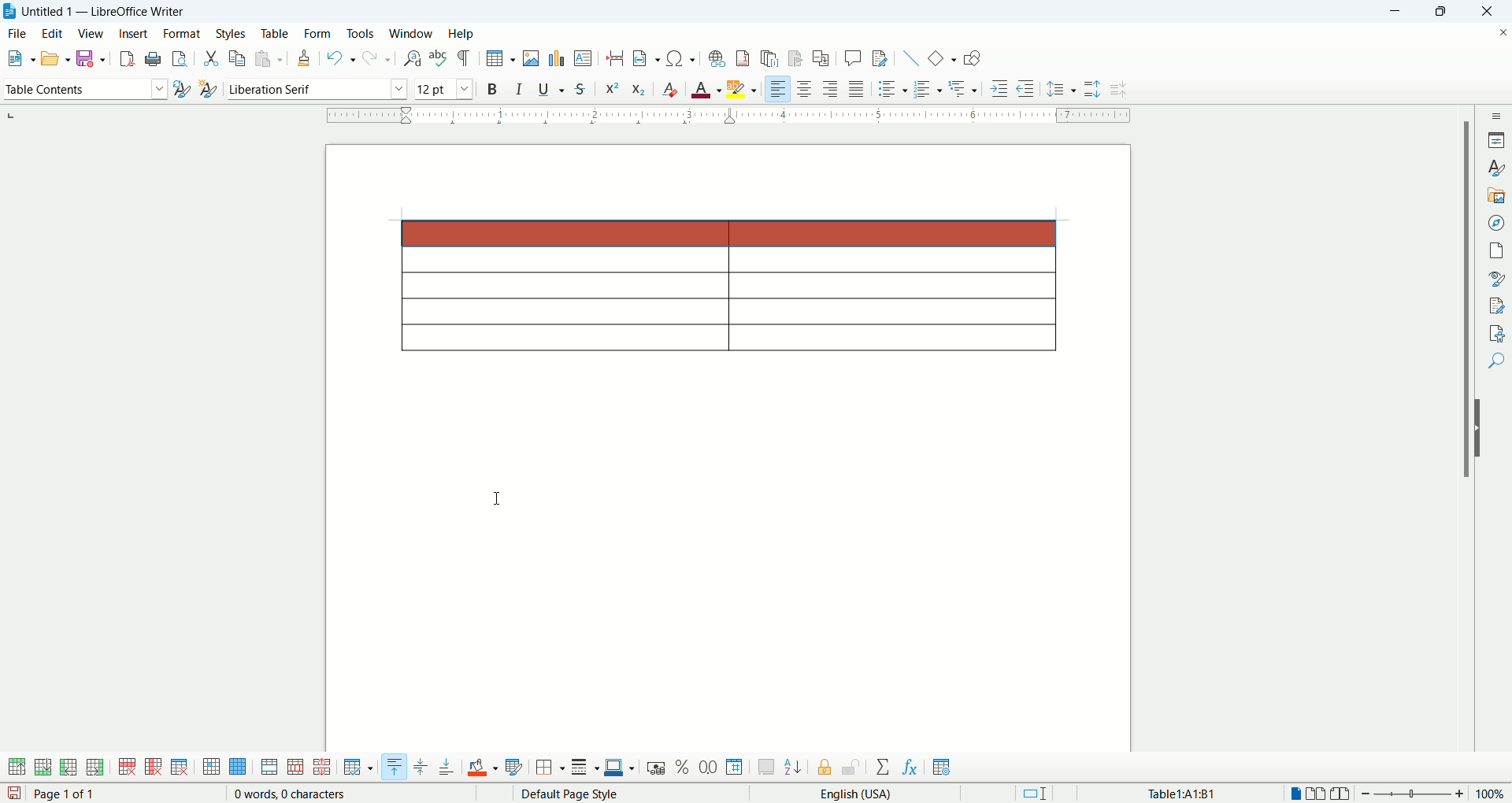 The image size is (1512, 803). Describe the element at coordinates (233, 34) in the screenshot. I see `styles` at that location.